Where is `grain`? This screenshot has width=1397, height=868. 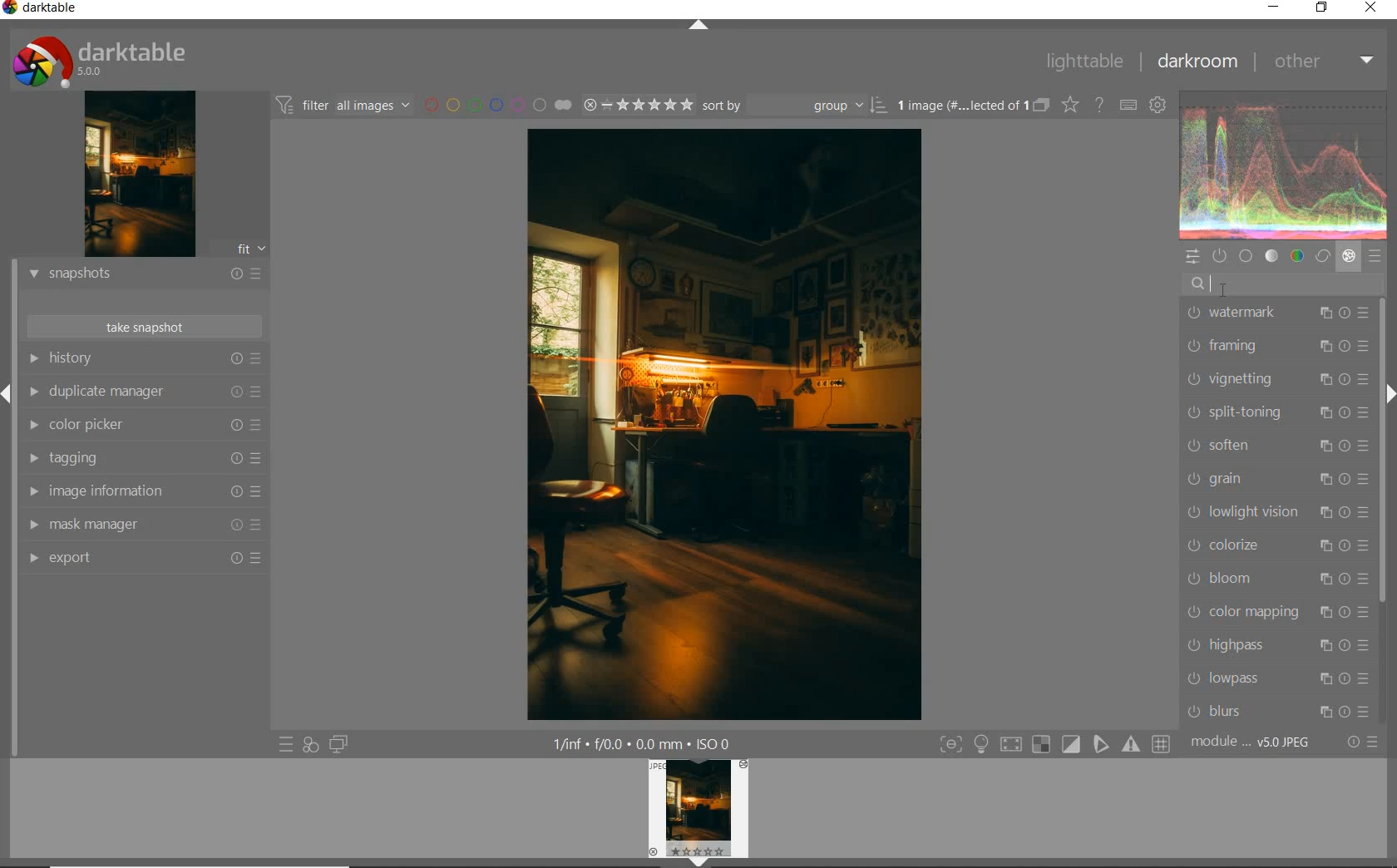
grain is located at coordinates (1276, 479).